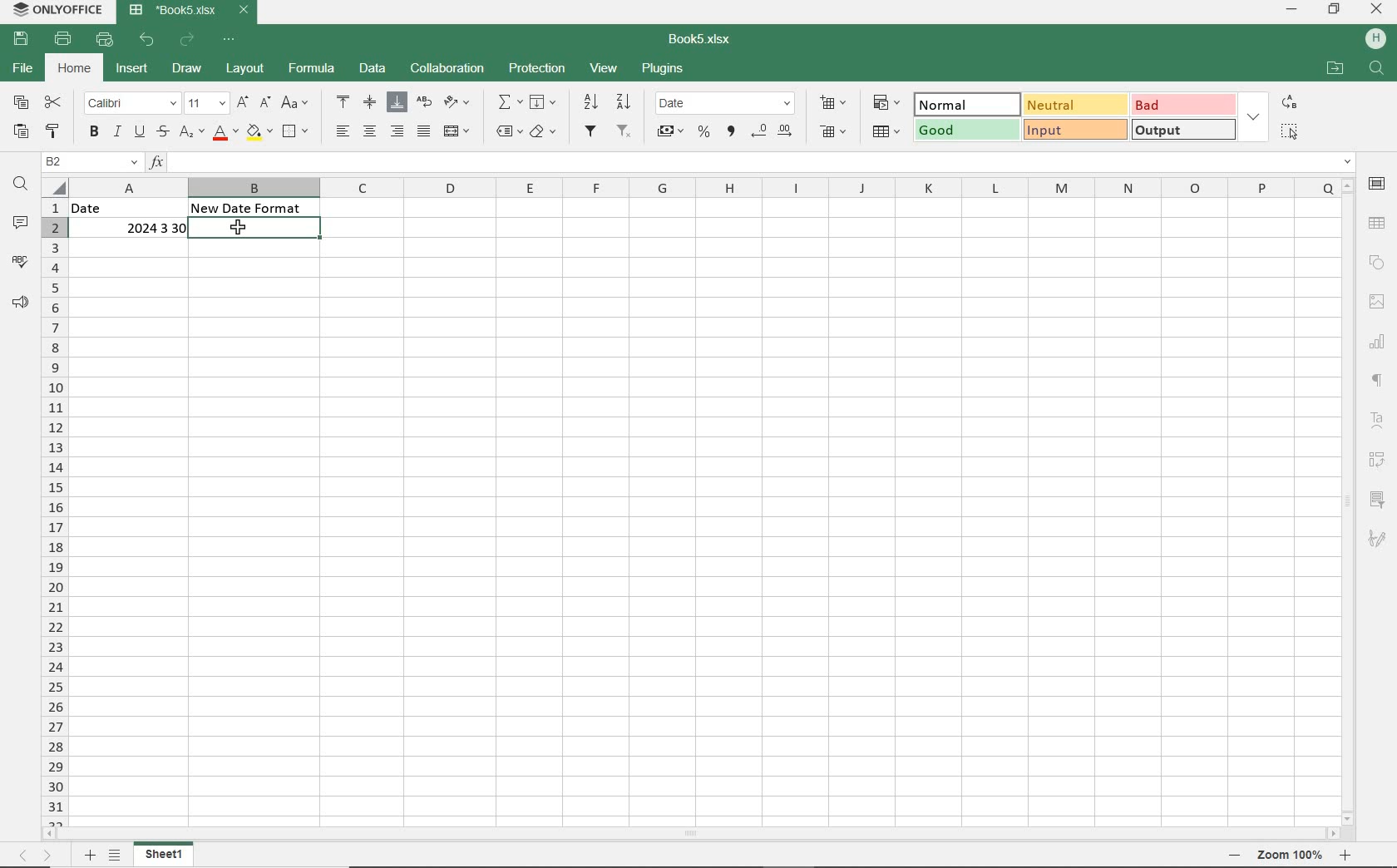  What do you see at coordinates (662, 70) in the screenshot?
I see `PLUGINS` at bounding box center [662, 70].